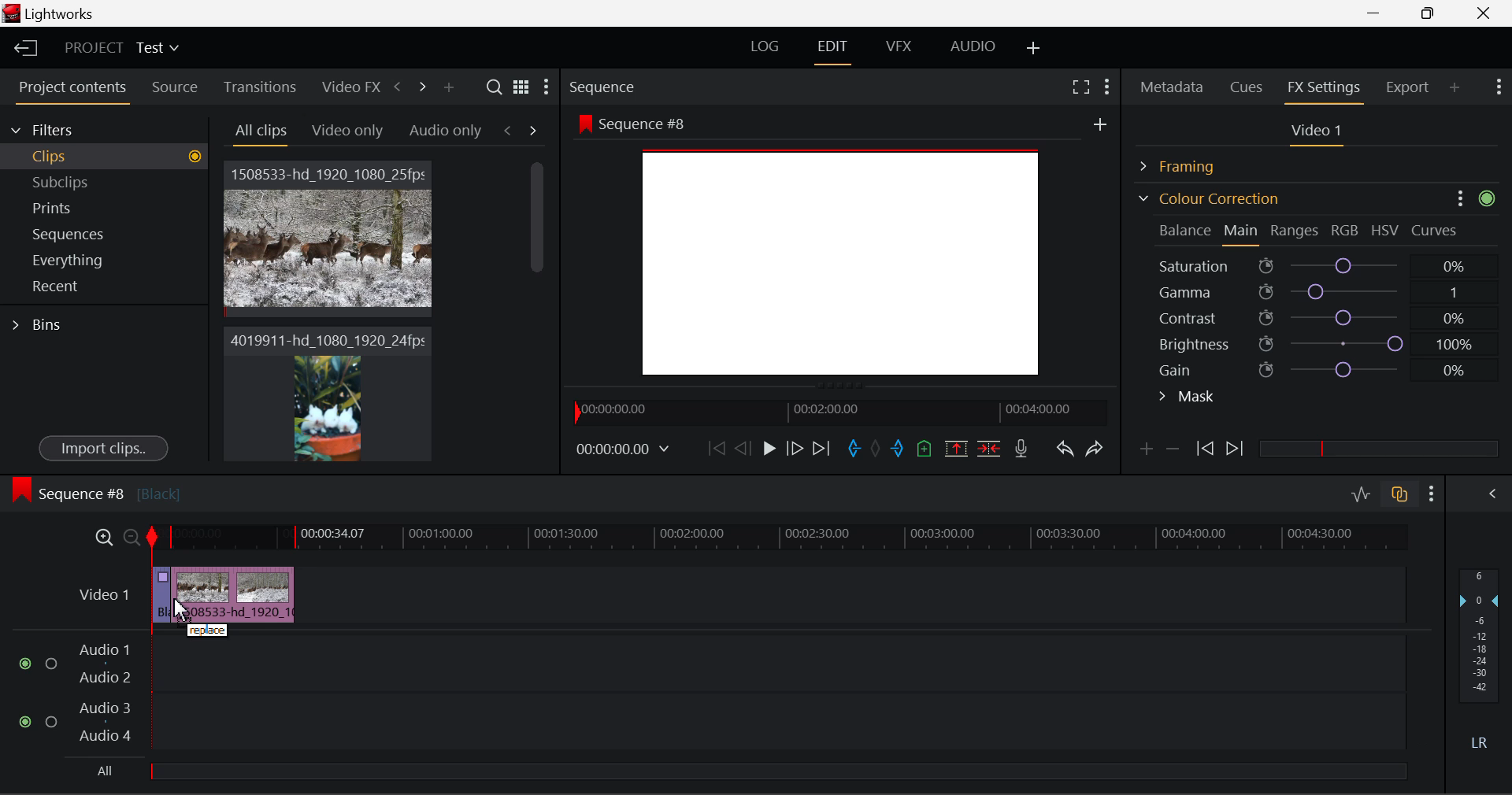 The image size is (1512, 795). What do you see at coordinates (989, 448) in the screenshot?
I see `Delete/Cut` at bounding box center [989, 448].